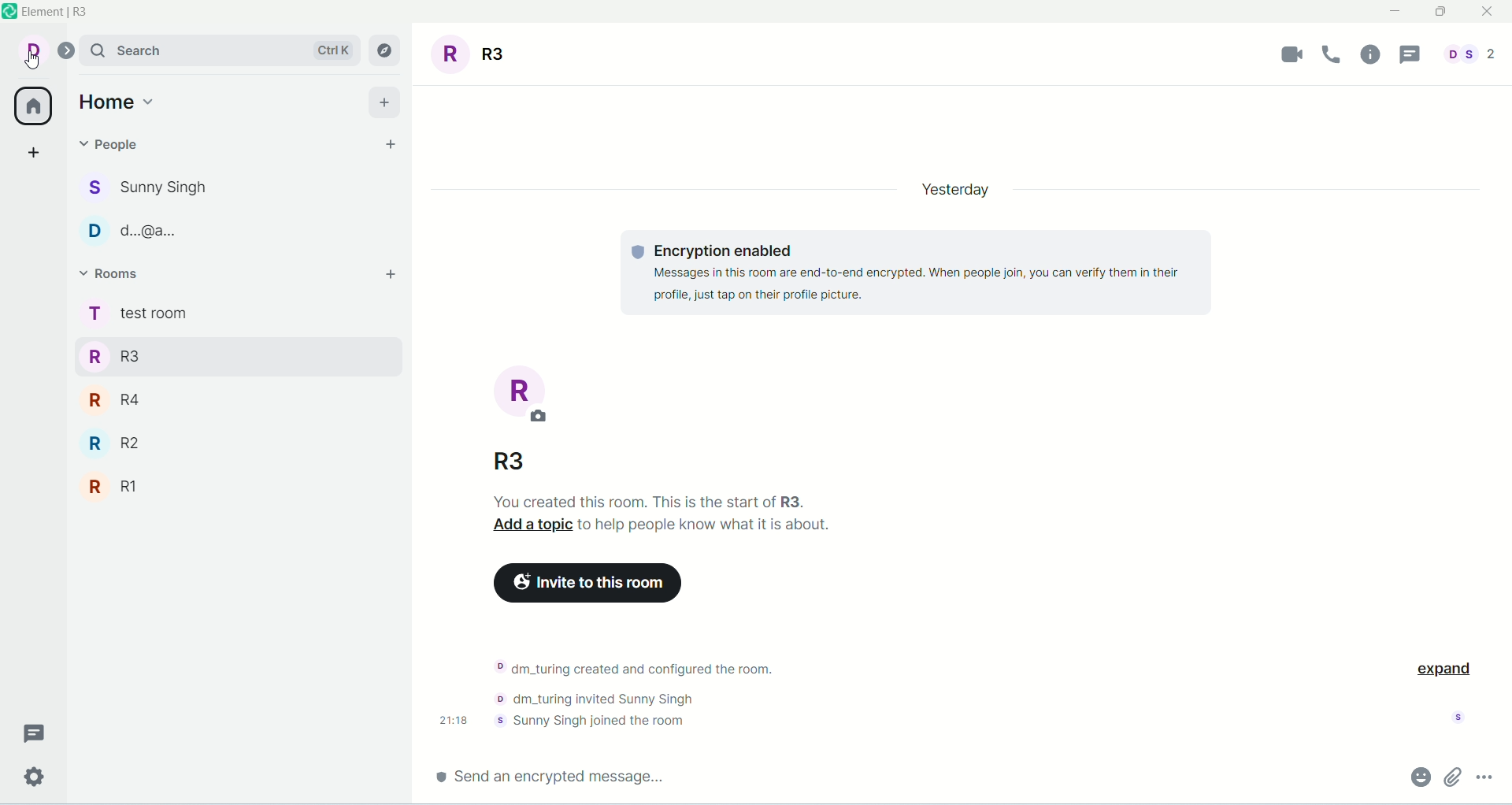 Image resolution: width=1512 pixels, height=805 pixels. I want to click on maximize, so click(1440, 13).